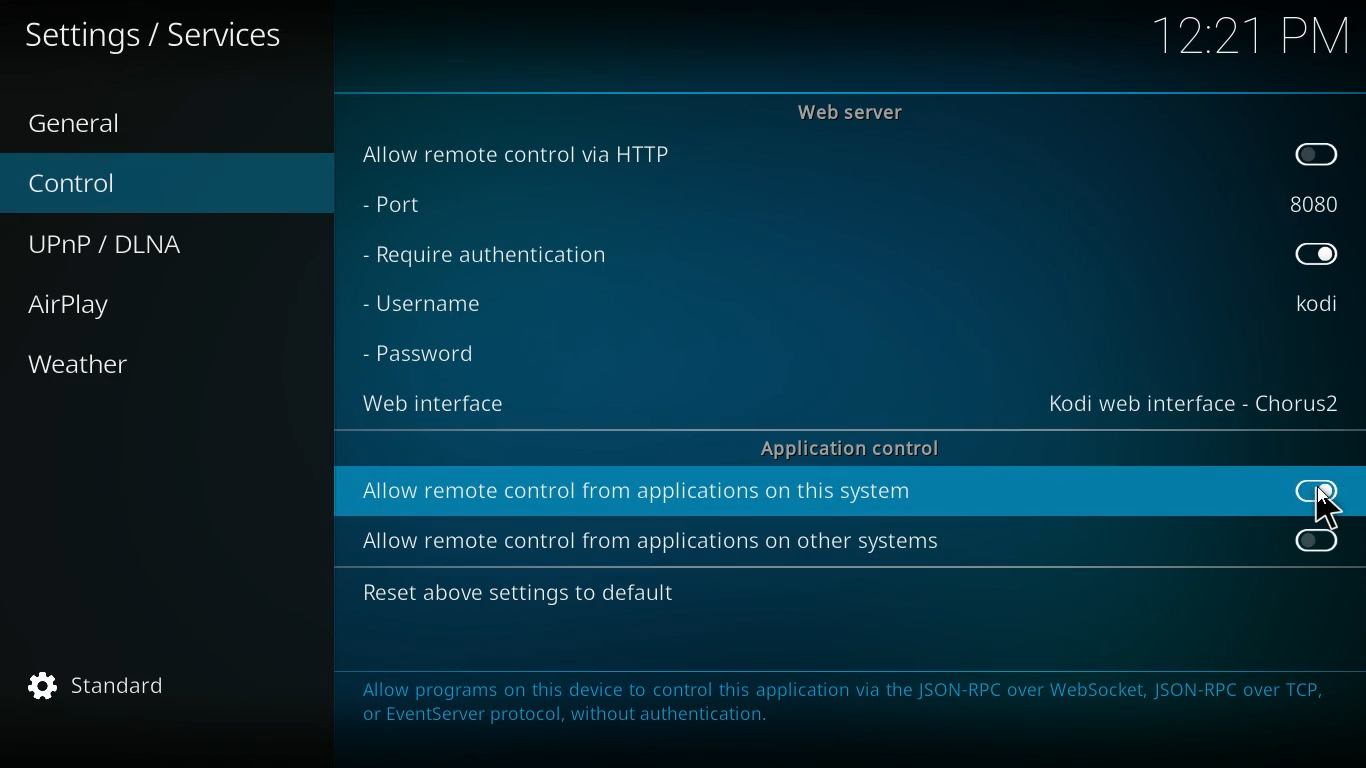  I want to click on control, so click(162, 186).